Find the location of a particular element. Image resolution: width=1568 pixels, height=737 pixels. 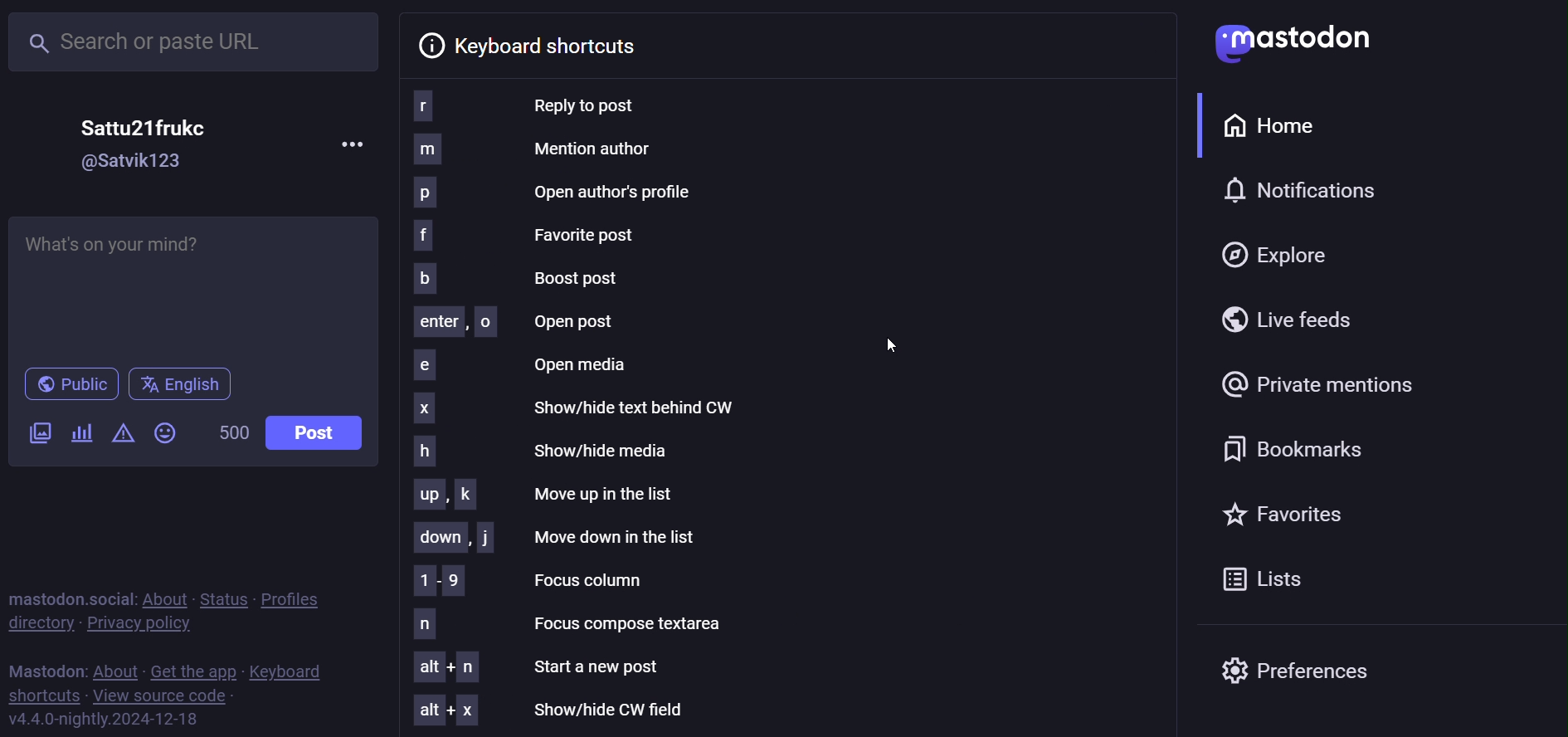

privacy policy is located at coordinates (140, 622).